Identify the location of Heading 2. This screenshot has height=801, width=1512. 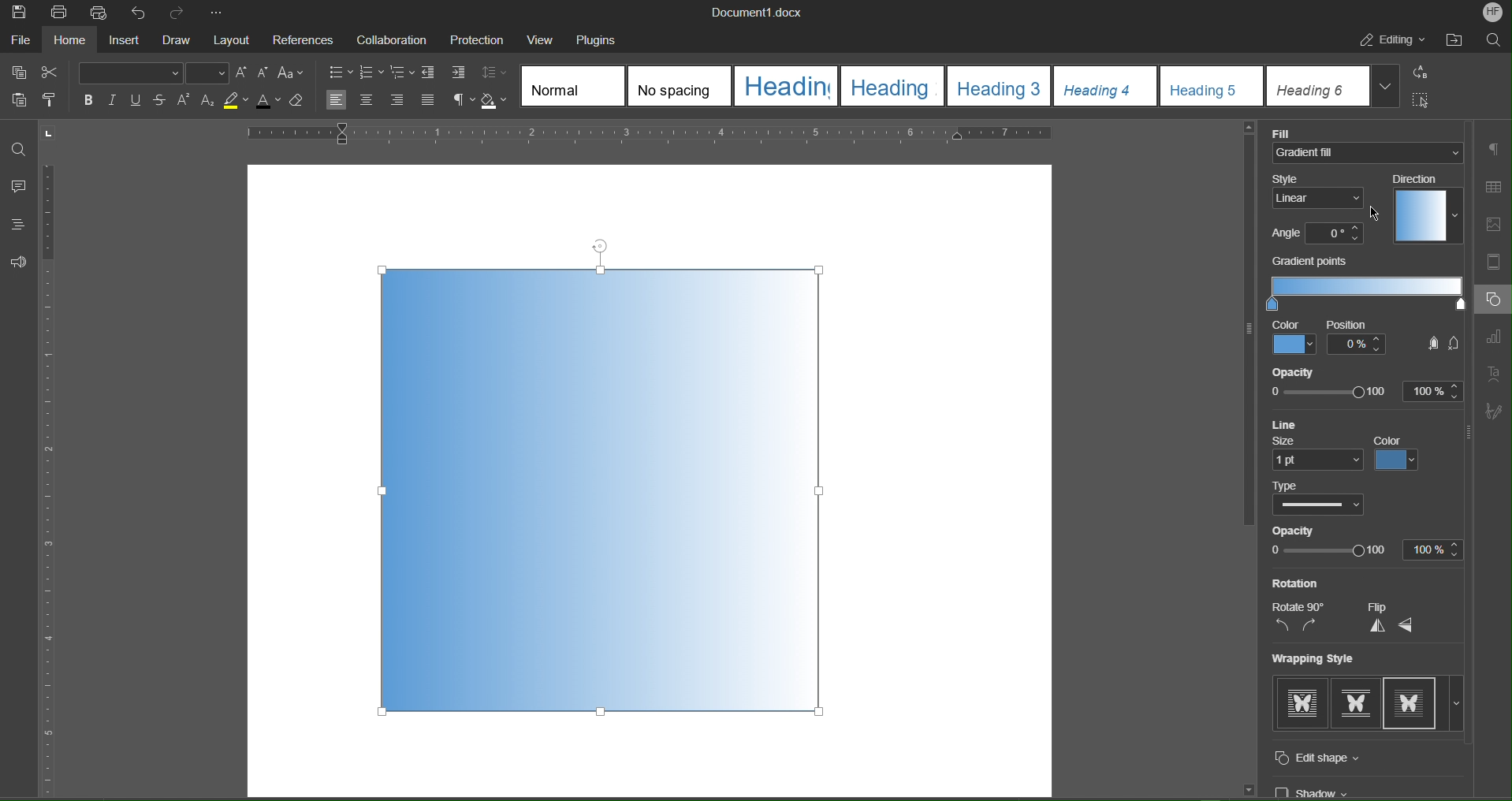
(891, 87).